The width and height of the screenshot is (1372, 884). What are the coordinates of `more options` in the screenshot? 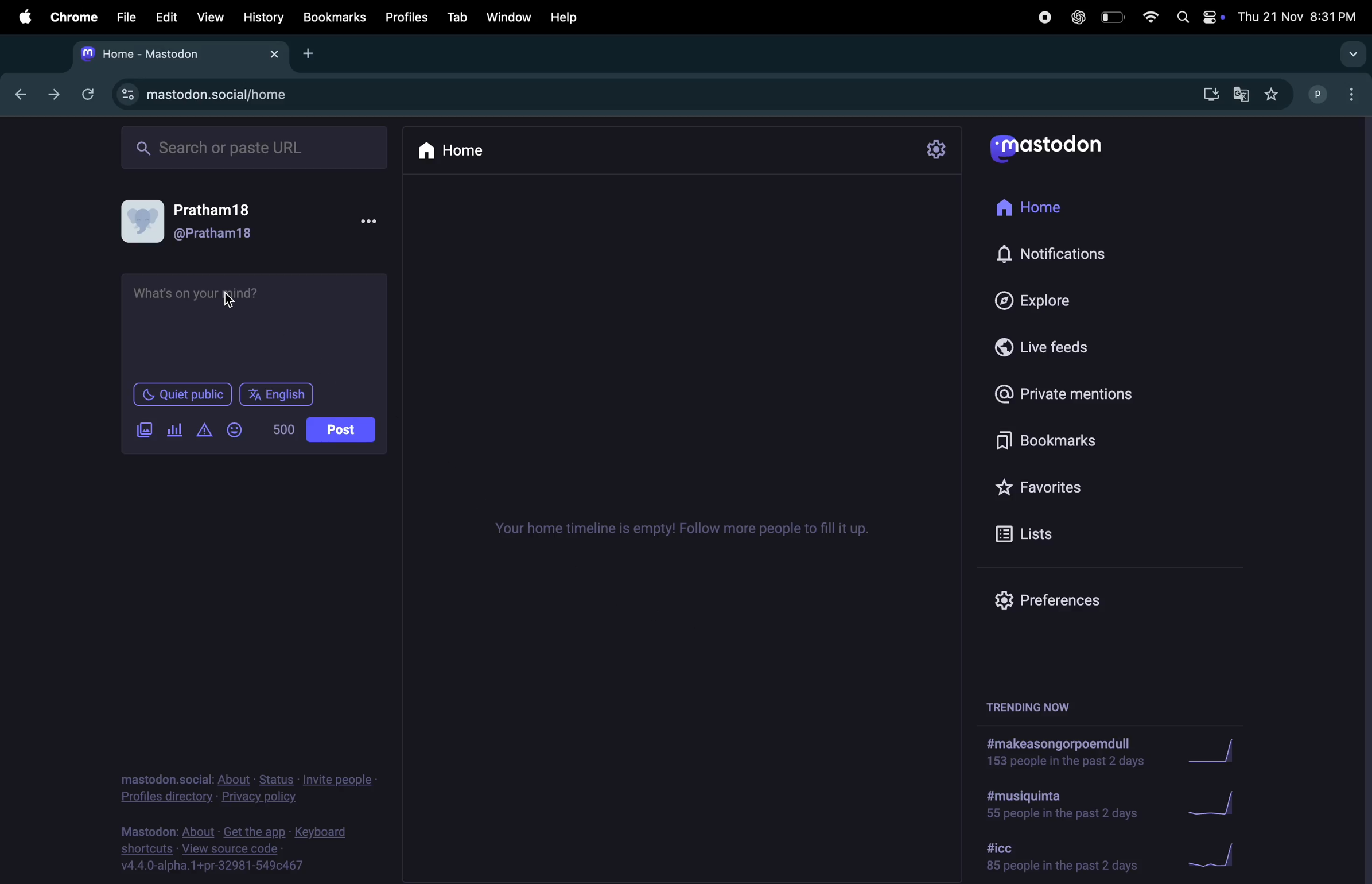 It's located at (370, 223).